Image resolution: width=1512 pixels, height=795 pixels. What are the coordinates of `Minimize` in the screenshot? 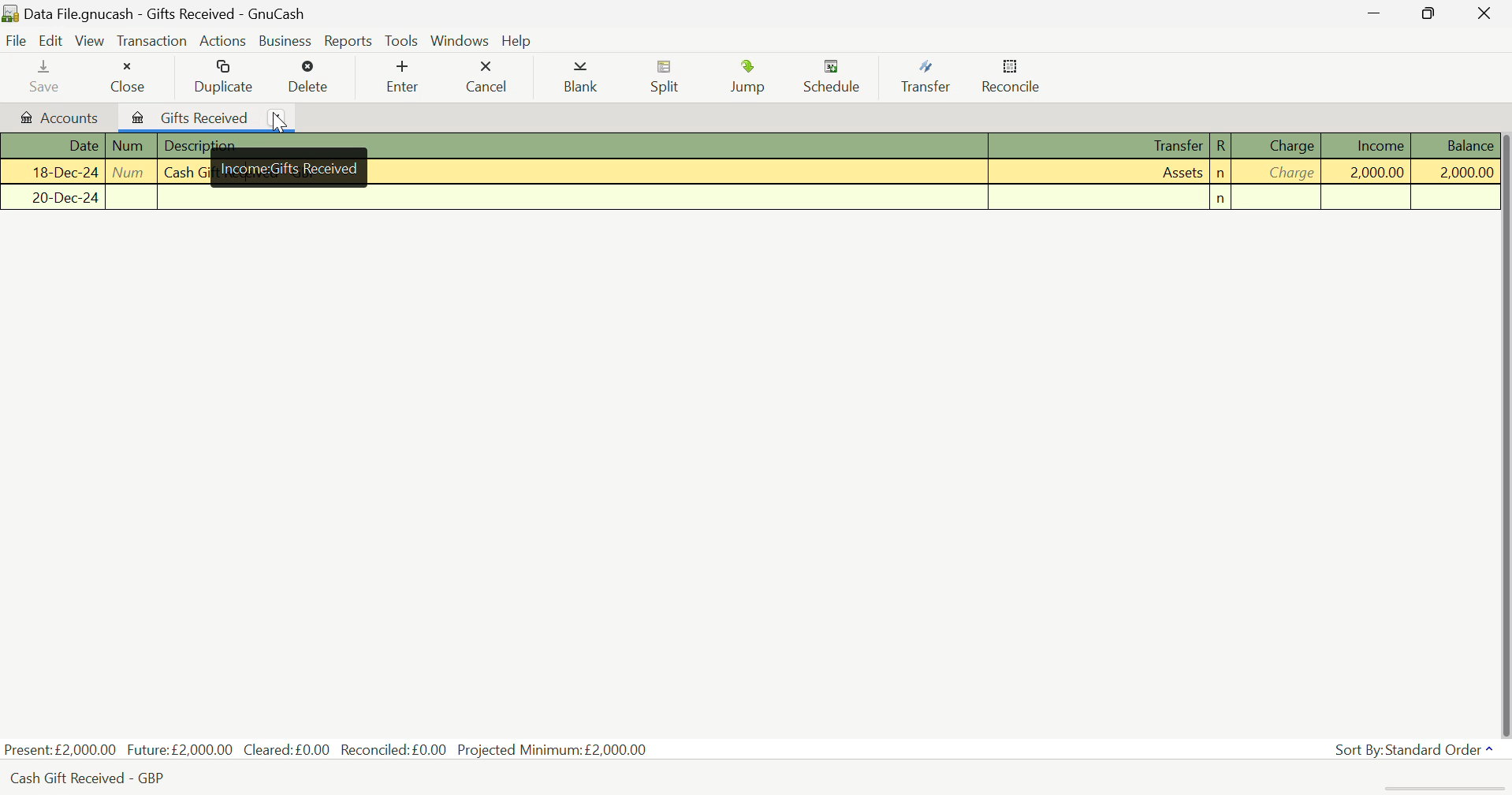 It's located at (1434, 13).